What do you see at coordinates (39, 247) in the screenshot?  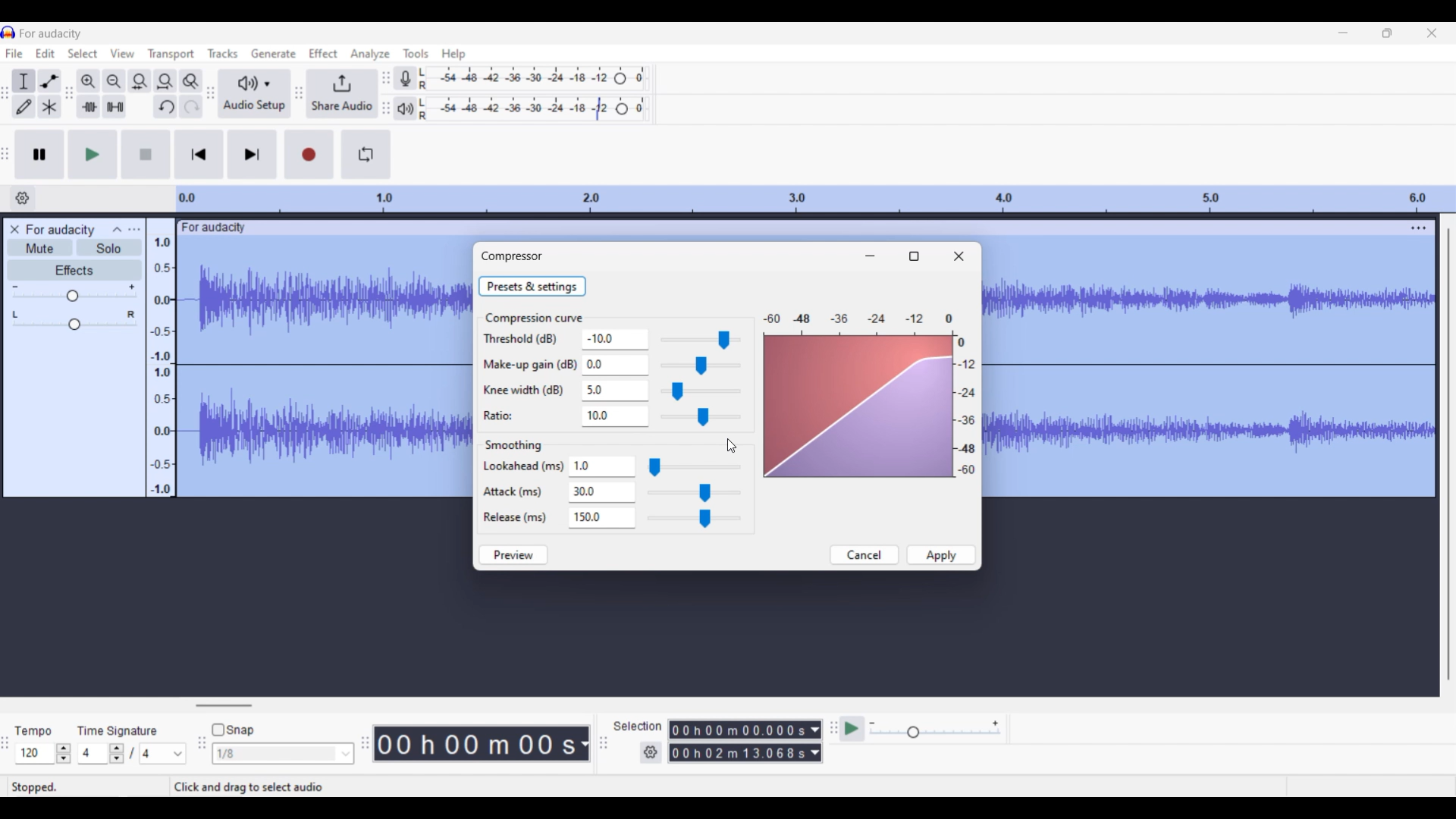 I see `Mute` at bounding box center [39, 247].